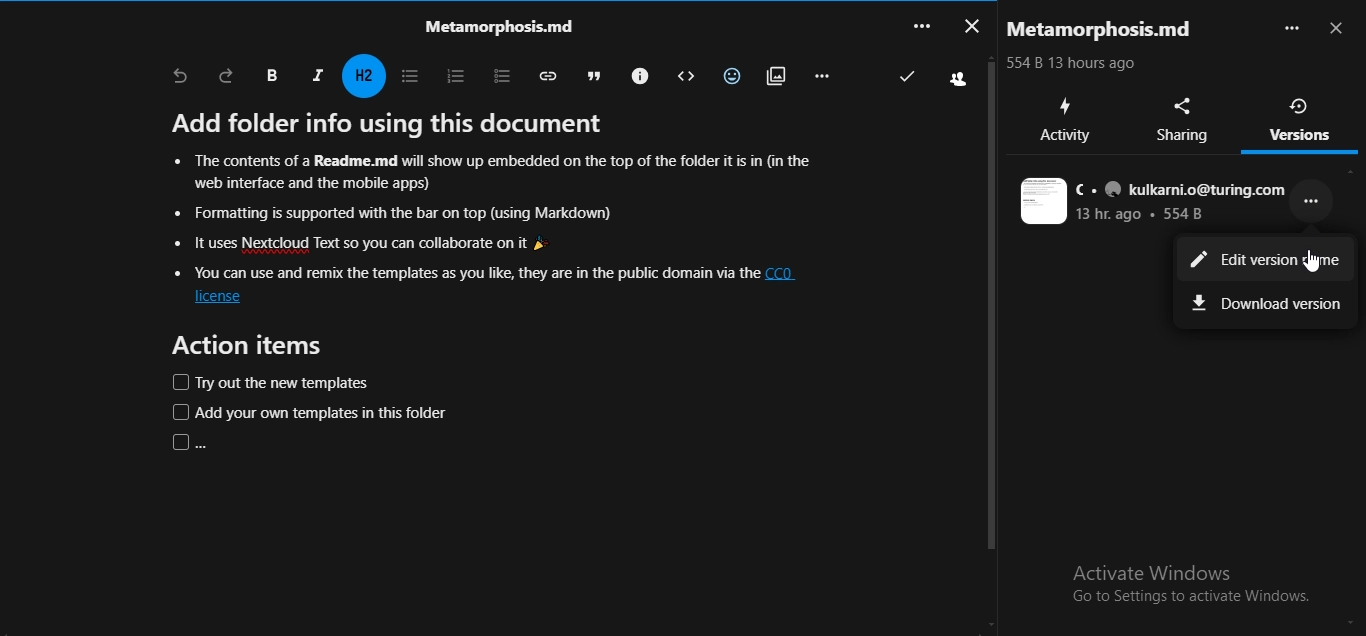 The width and height of the screenshot is (1366, 636). What do you see at coordinates (317, 74) in the screenshot?
I see `italic` at bounding box center [317, 74].